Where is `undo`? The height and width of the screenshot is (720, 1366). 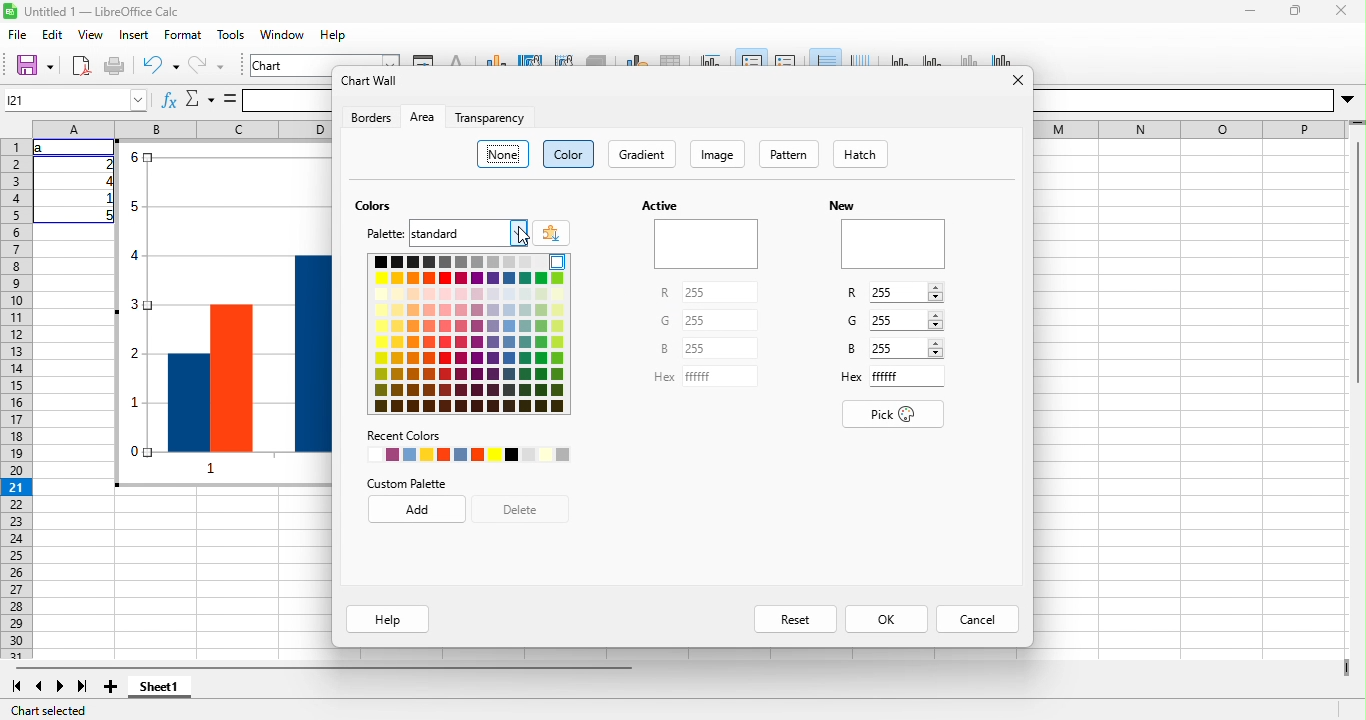 undo is located at coordinates (161, 66).